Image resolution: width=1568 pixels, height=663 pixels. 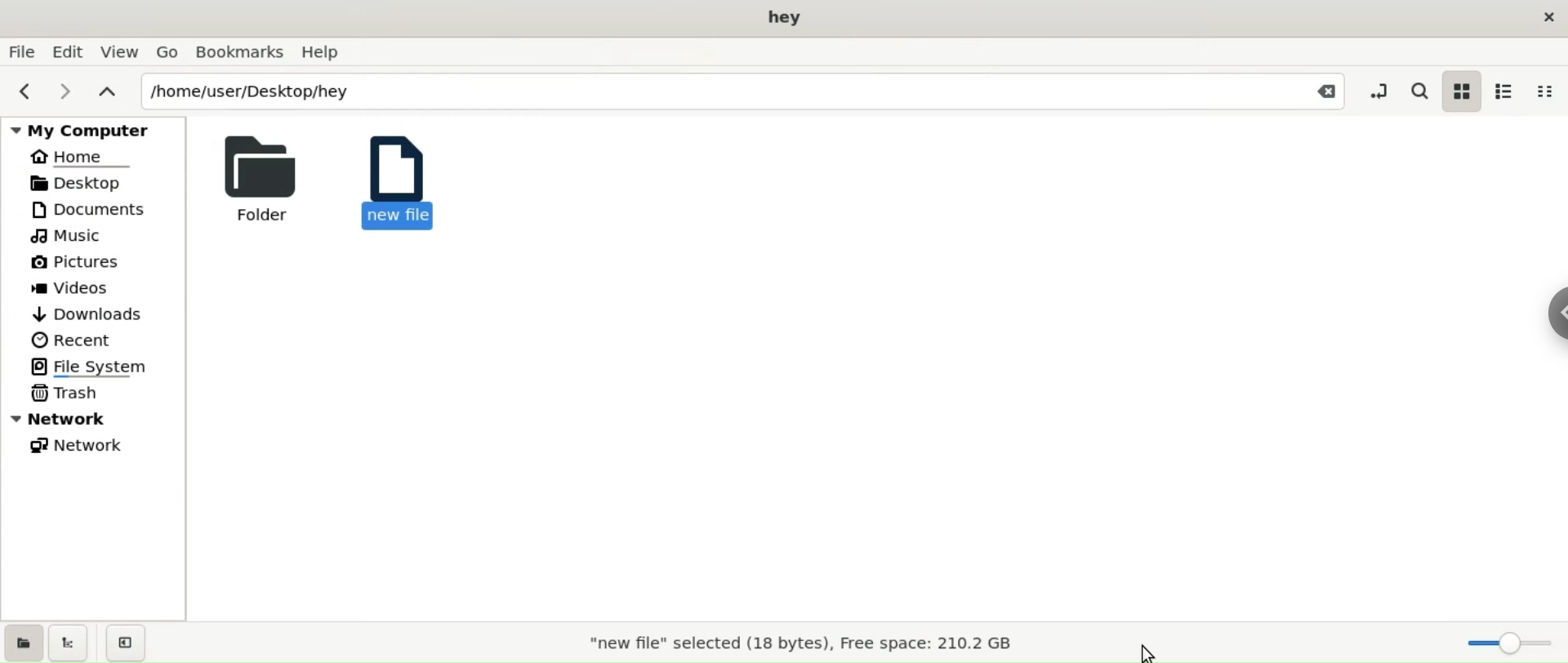 I want to click on "new file" selected(18 bytes), Free space: 210.2 GB, so click(x=788, y=640).